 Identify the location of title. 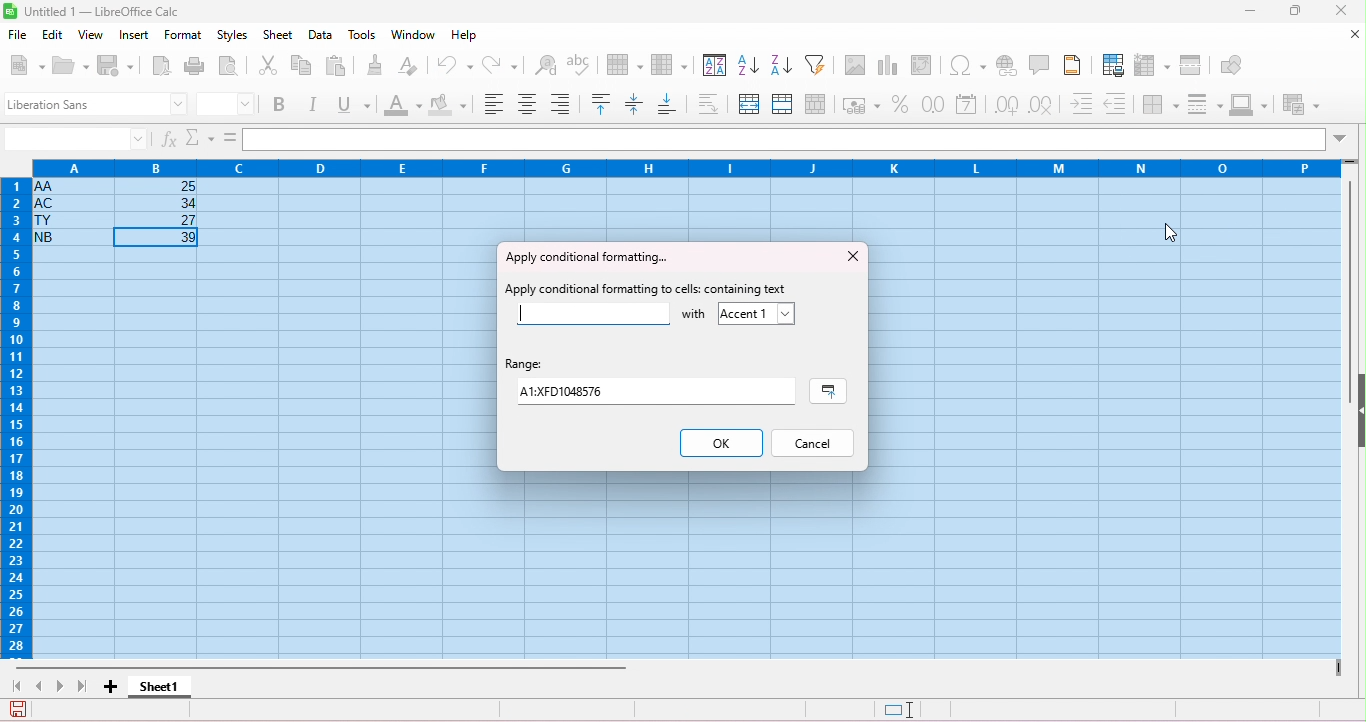
(92, 12).